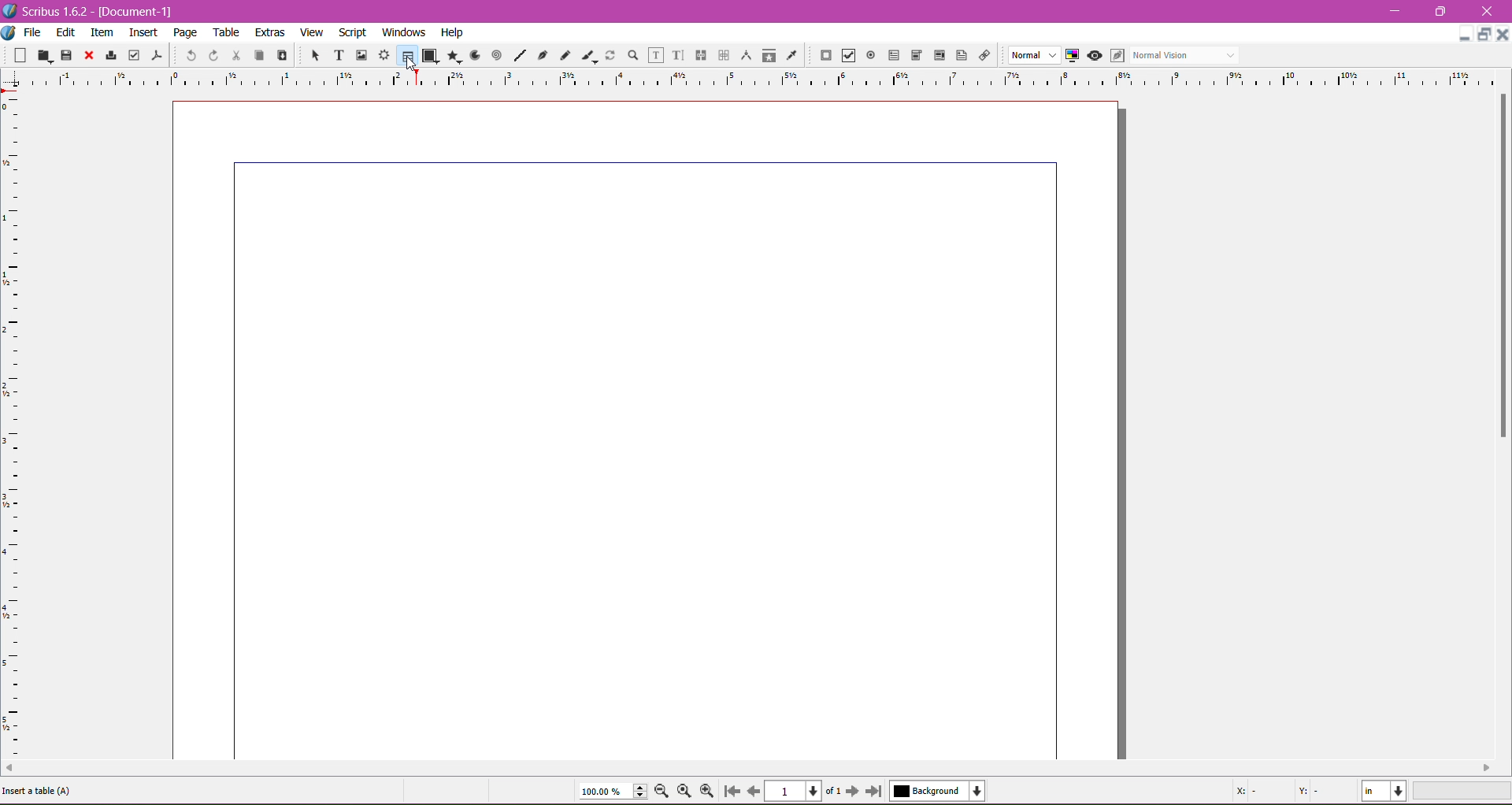 This screenshot has height=805, width=1512. I want to click on Select Item, so click(309, 54).